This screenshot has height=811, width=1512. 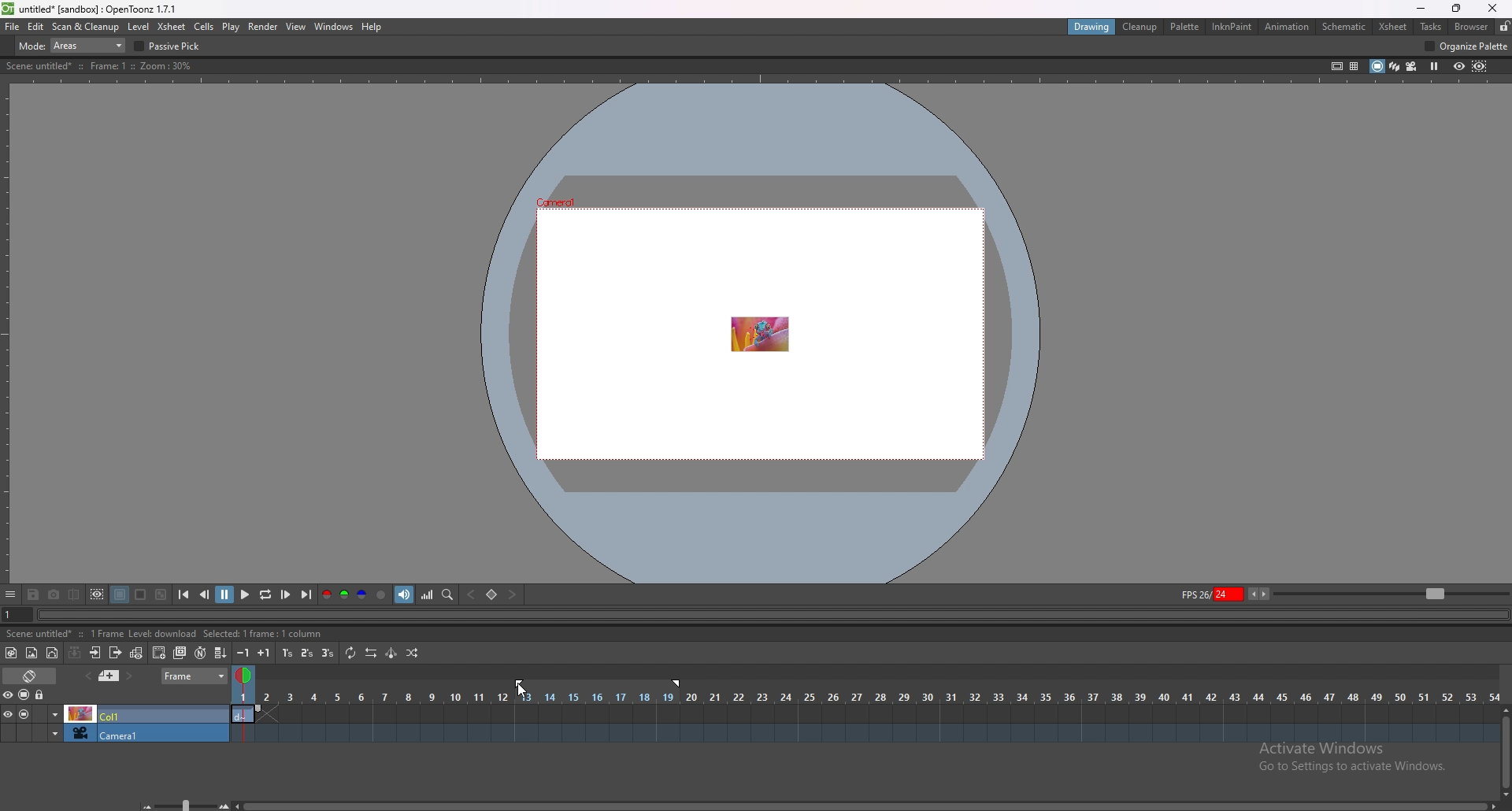 What do you see at coordinates (1287, 28) in the screenshot?
I see `animation` at bounding box center [1287, 28].